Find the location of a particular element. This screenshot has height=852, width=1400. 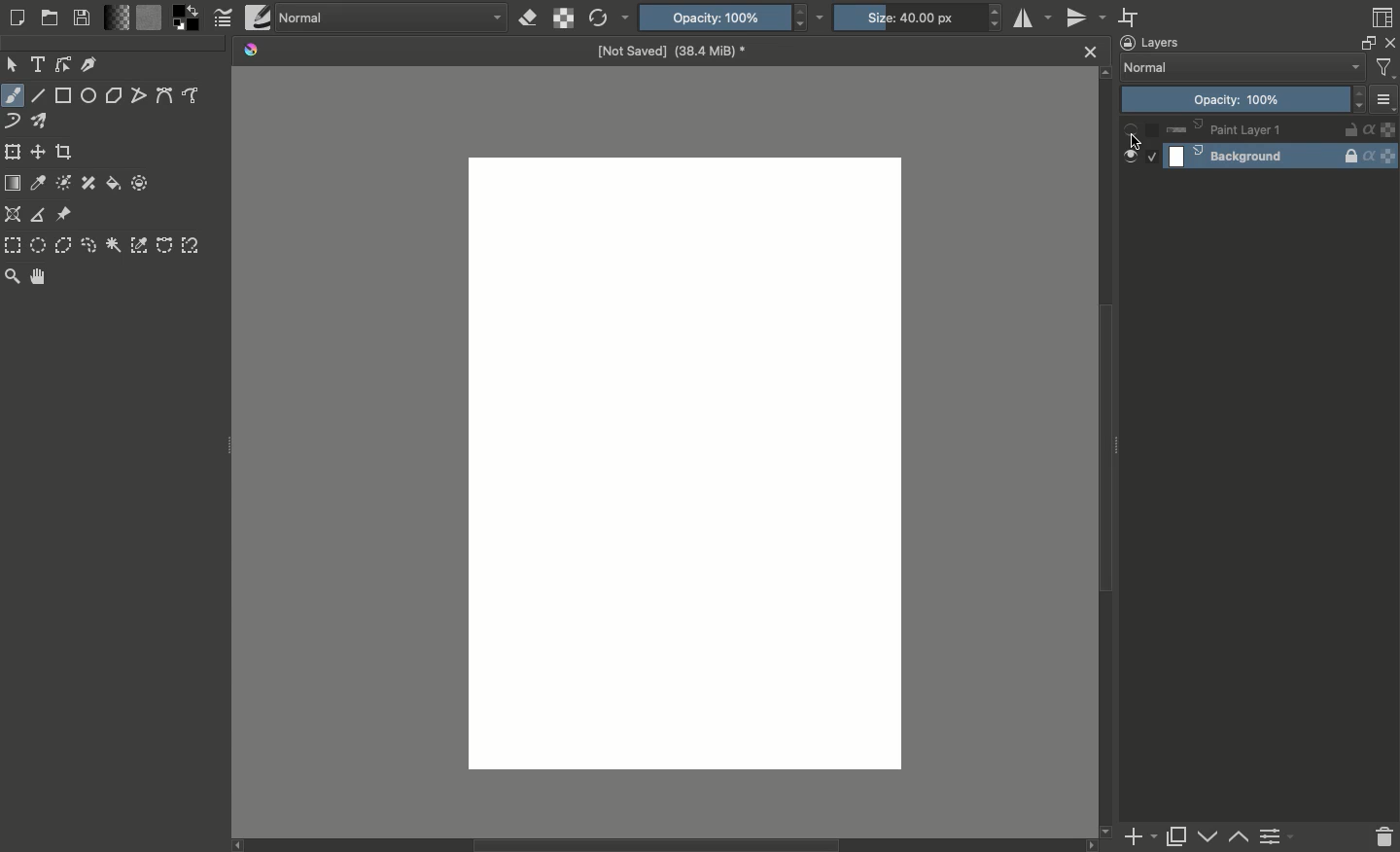

Preserve alpha is located at coordinates (563, 19).